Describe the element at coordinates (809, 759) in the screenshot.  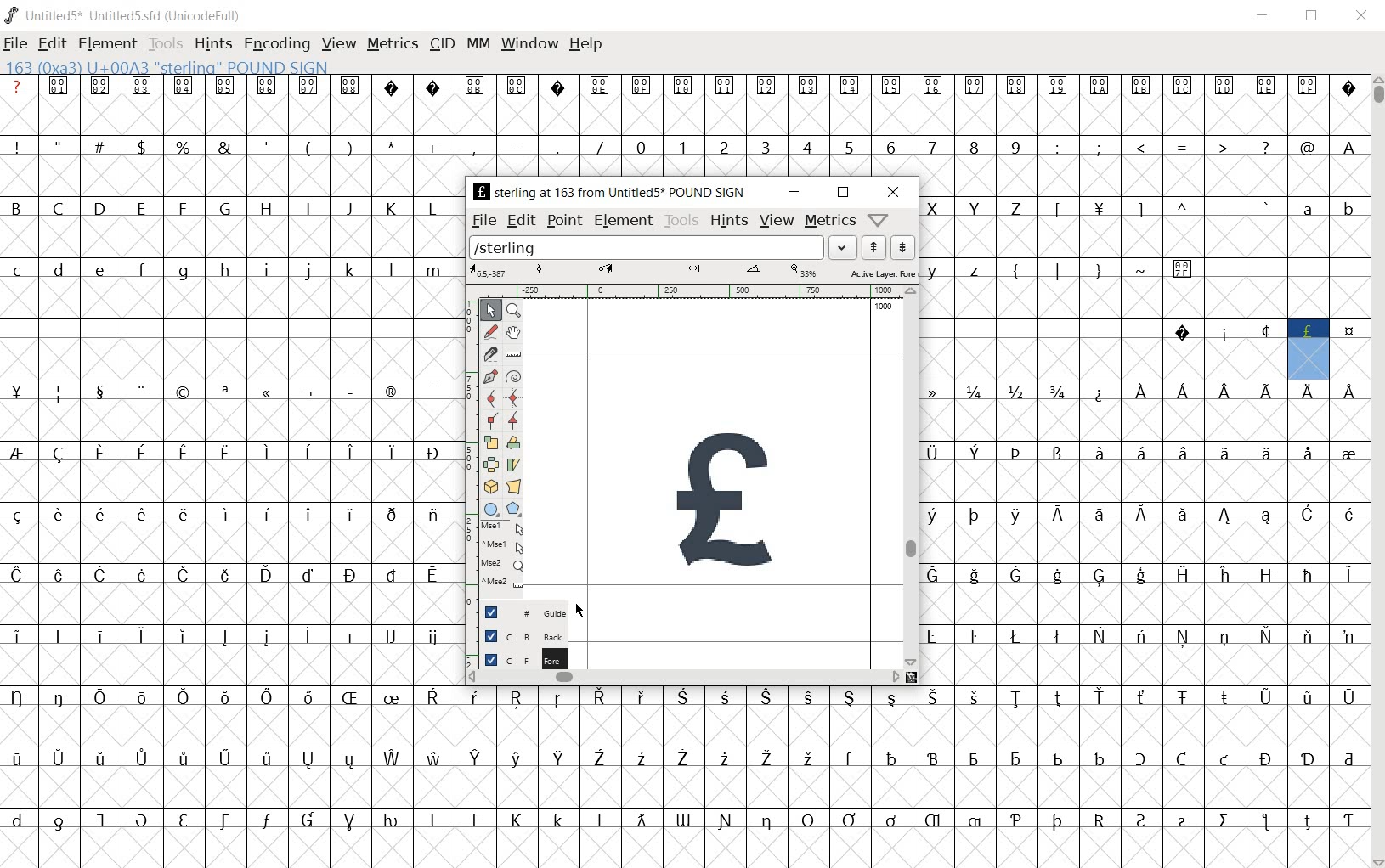
I see `Symbol` at that location.